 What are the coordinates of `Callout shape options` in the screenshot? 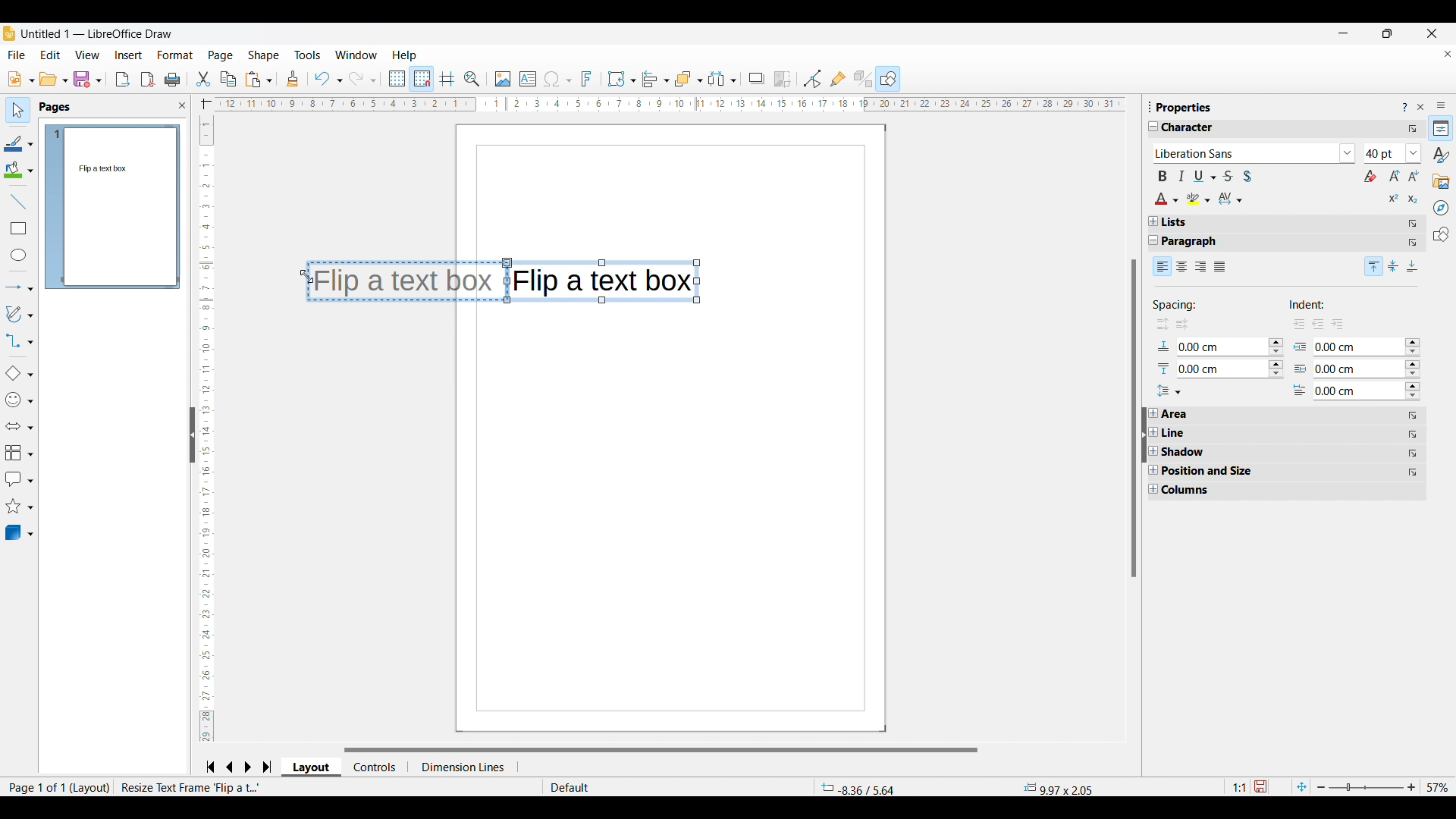 It's located at (19, 479).